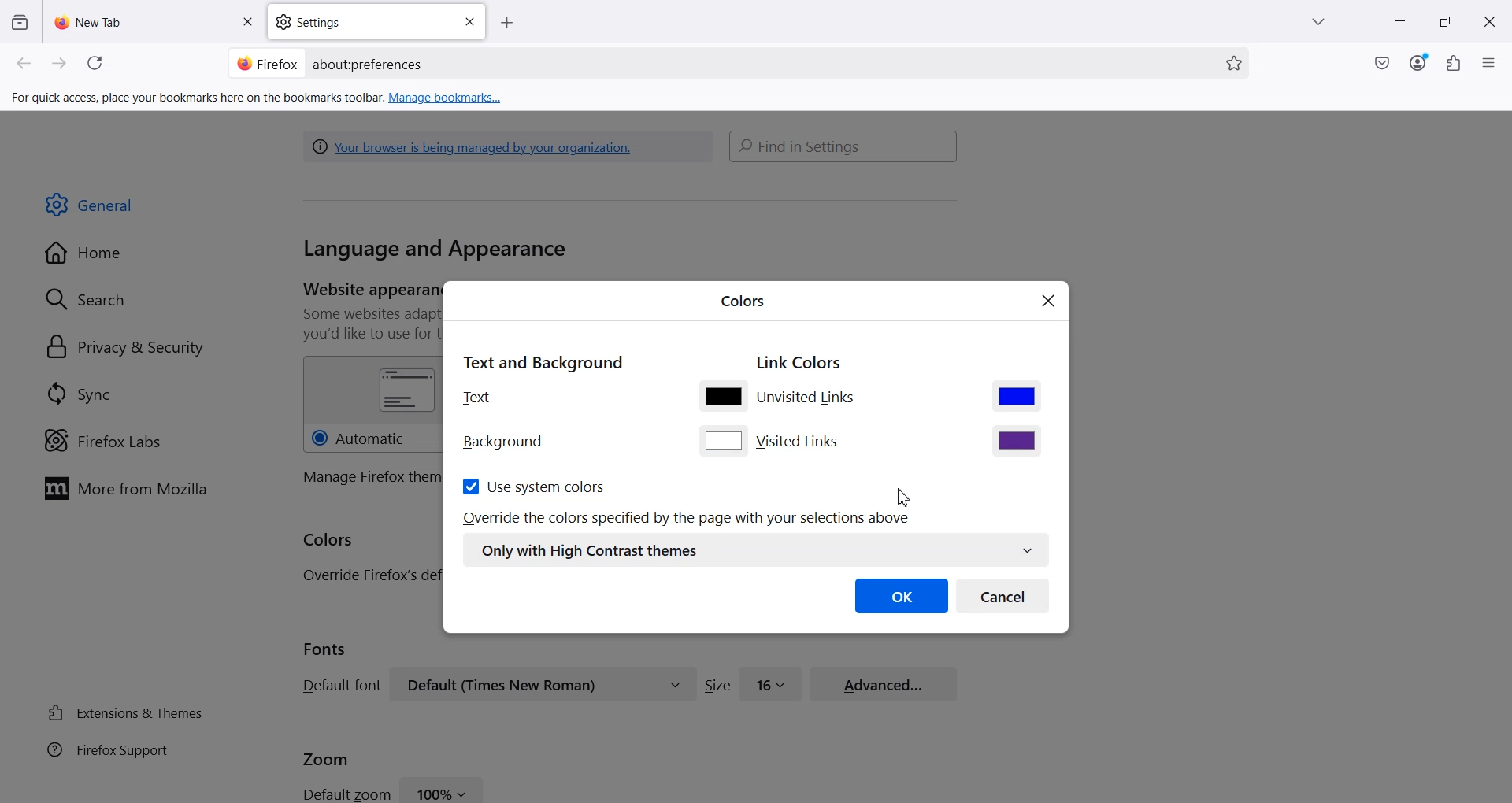 The height and width of the screenshot is (803, 1512). Describe the element at coordinates (908, 494) in the screenshot. I see `Cursor` at that location.